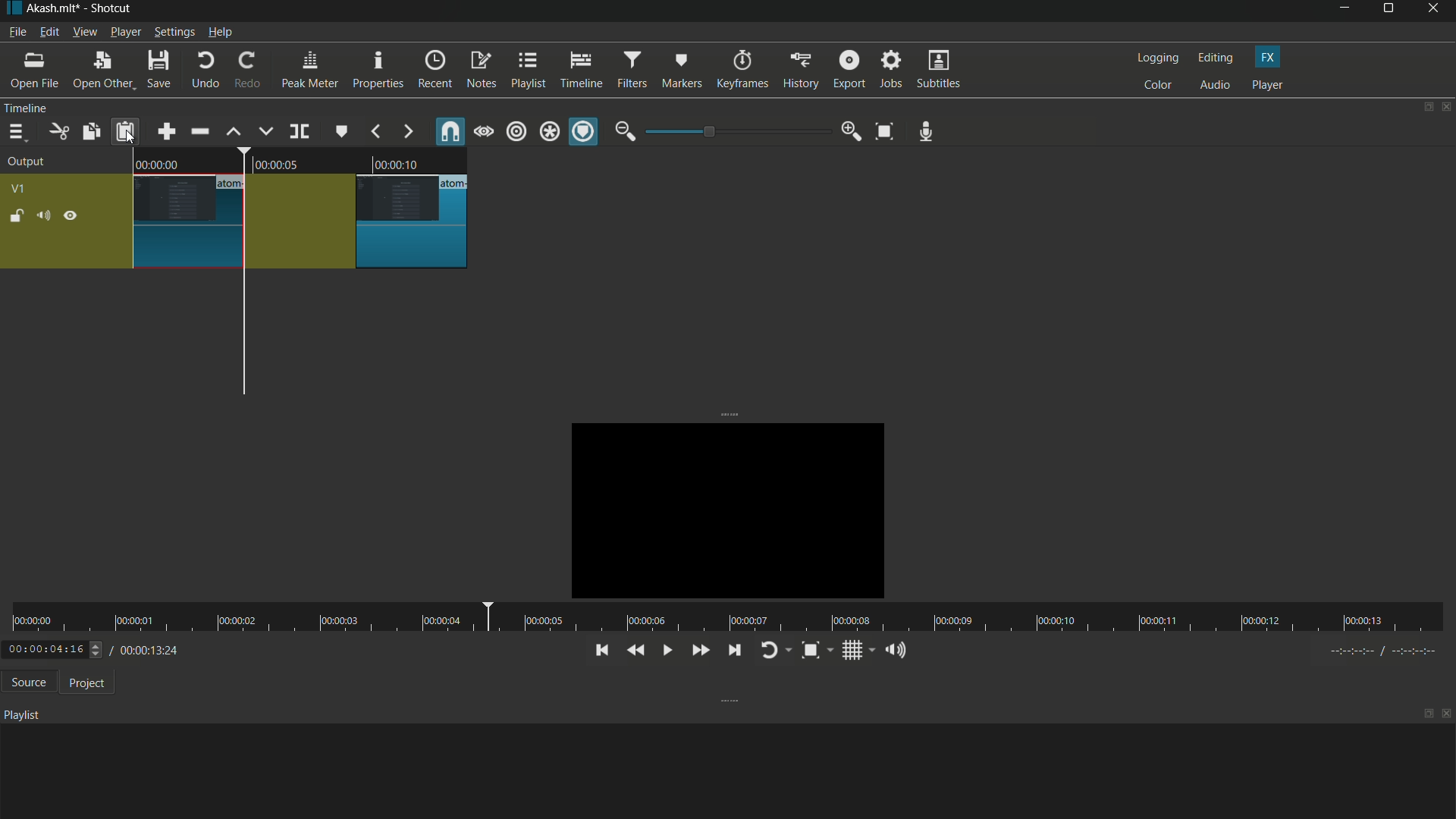 The height and width of the screenshot is (819, 1456). Describe the element at coordinates (857, 650) in the screenshot. I see `toggle grid` at that location.